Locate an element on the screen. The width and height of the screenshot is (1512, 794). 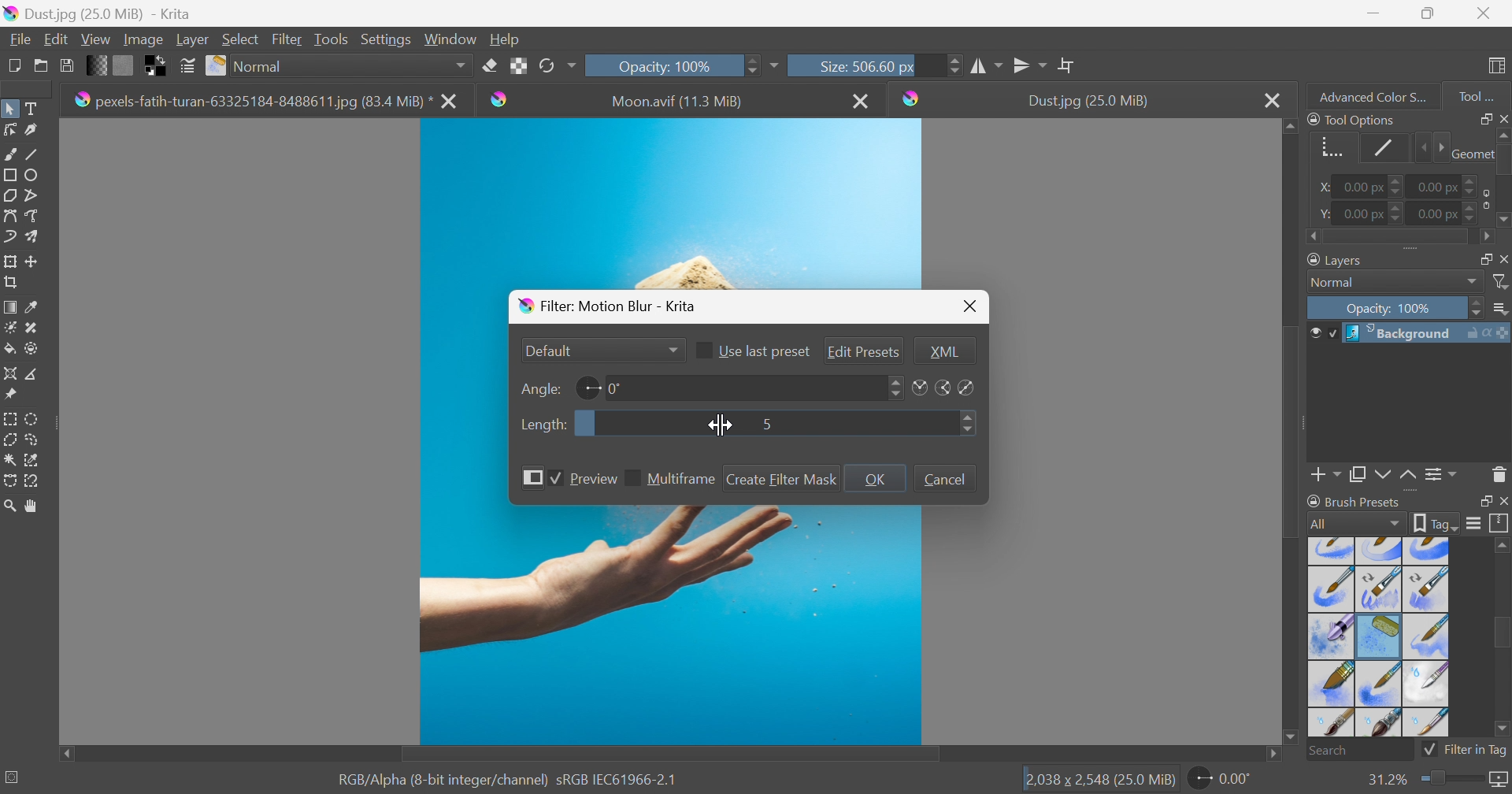
Crop the image to an area is located at coordinates (13, 284).